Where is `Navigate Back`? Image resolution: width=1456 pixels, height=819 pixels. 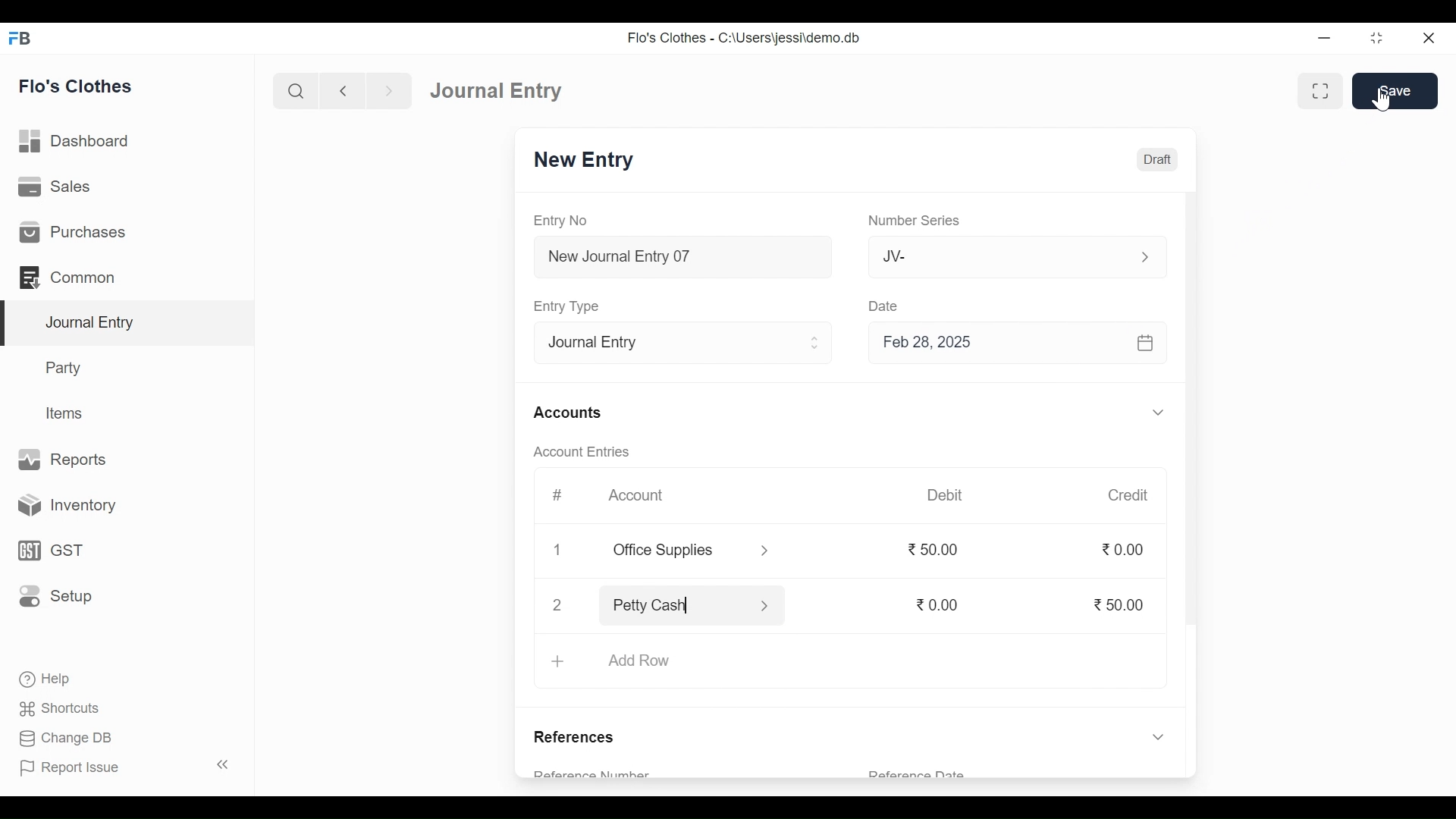 Navigate Back is located at coordinates (342, 91).